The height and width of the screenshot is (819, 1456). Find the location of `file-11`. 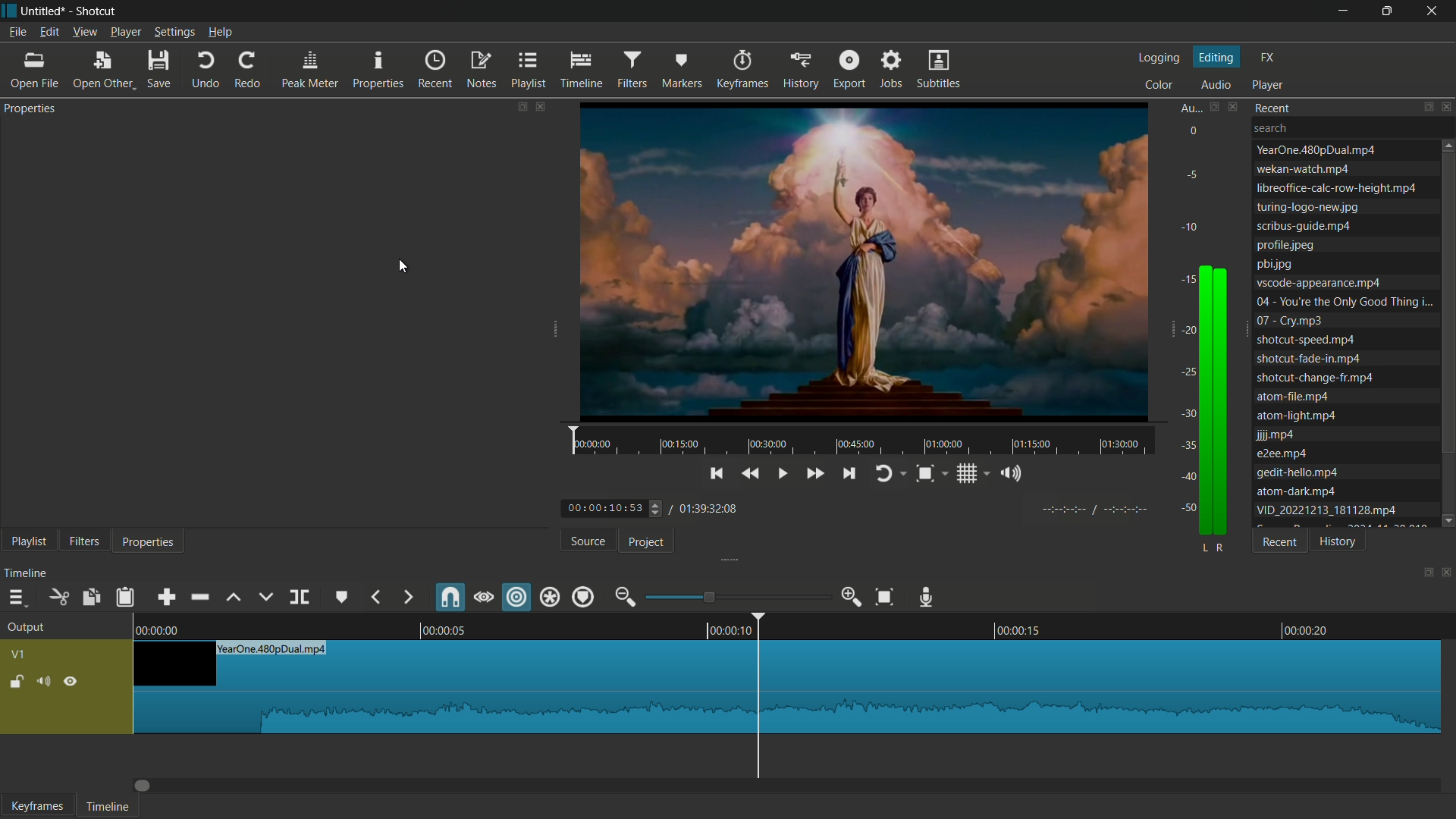

file-11 is located at coordinates (1306, 339).